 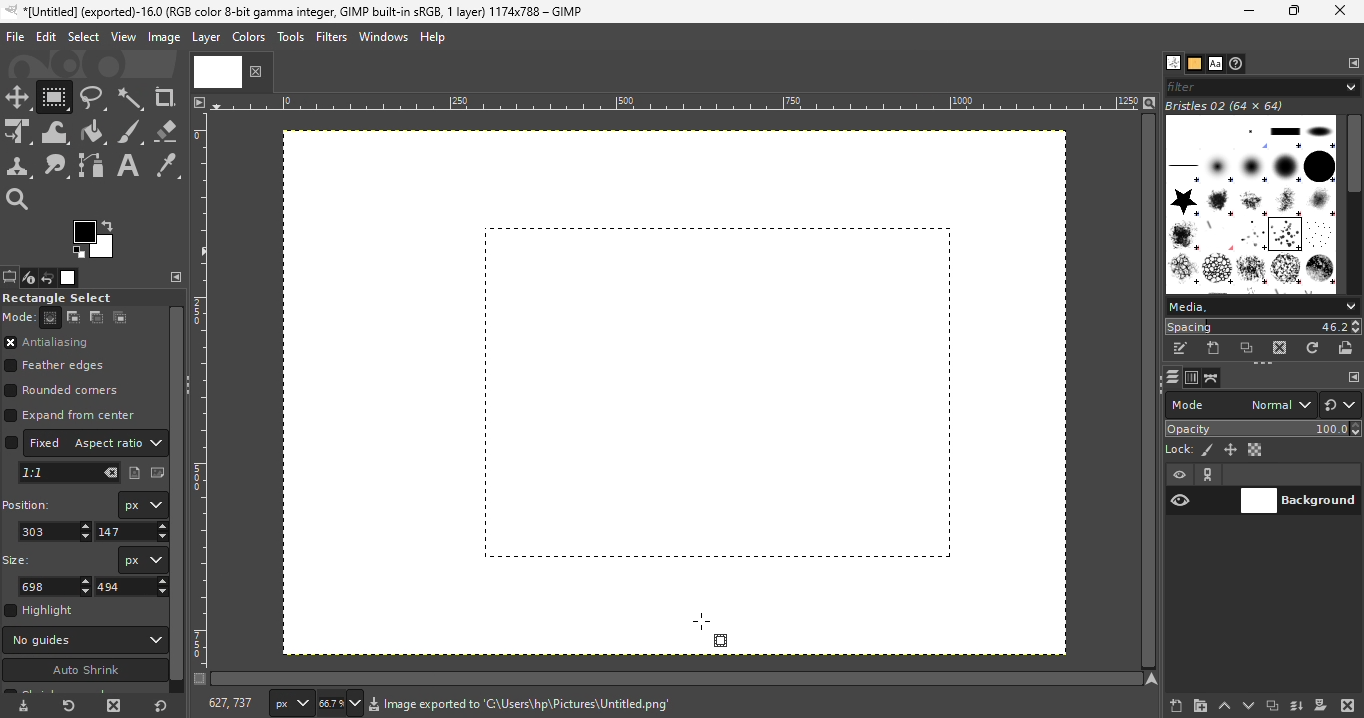 What do you see at coordinates (1354, 63) in the screenshot?
I see `Configure this tab` at bounding box center [1354, 63].